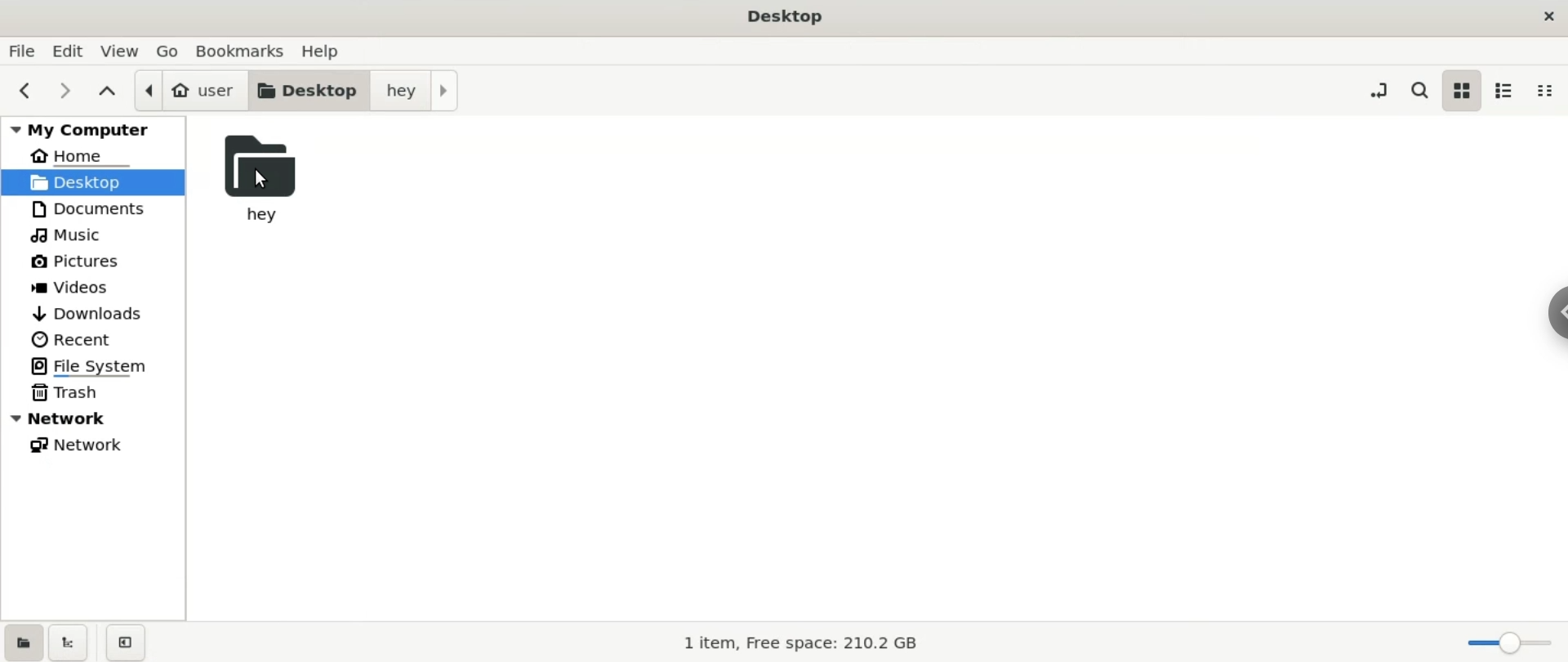 Image resolution: width=1568 pixels, height=662 pixels. What do you see at coordinates (787, 17) in the screenshot?
I see `desktop` at bounding box center [787, 17].